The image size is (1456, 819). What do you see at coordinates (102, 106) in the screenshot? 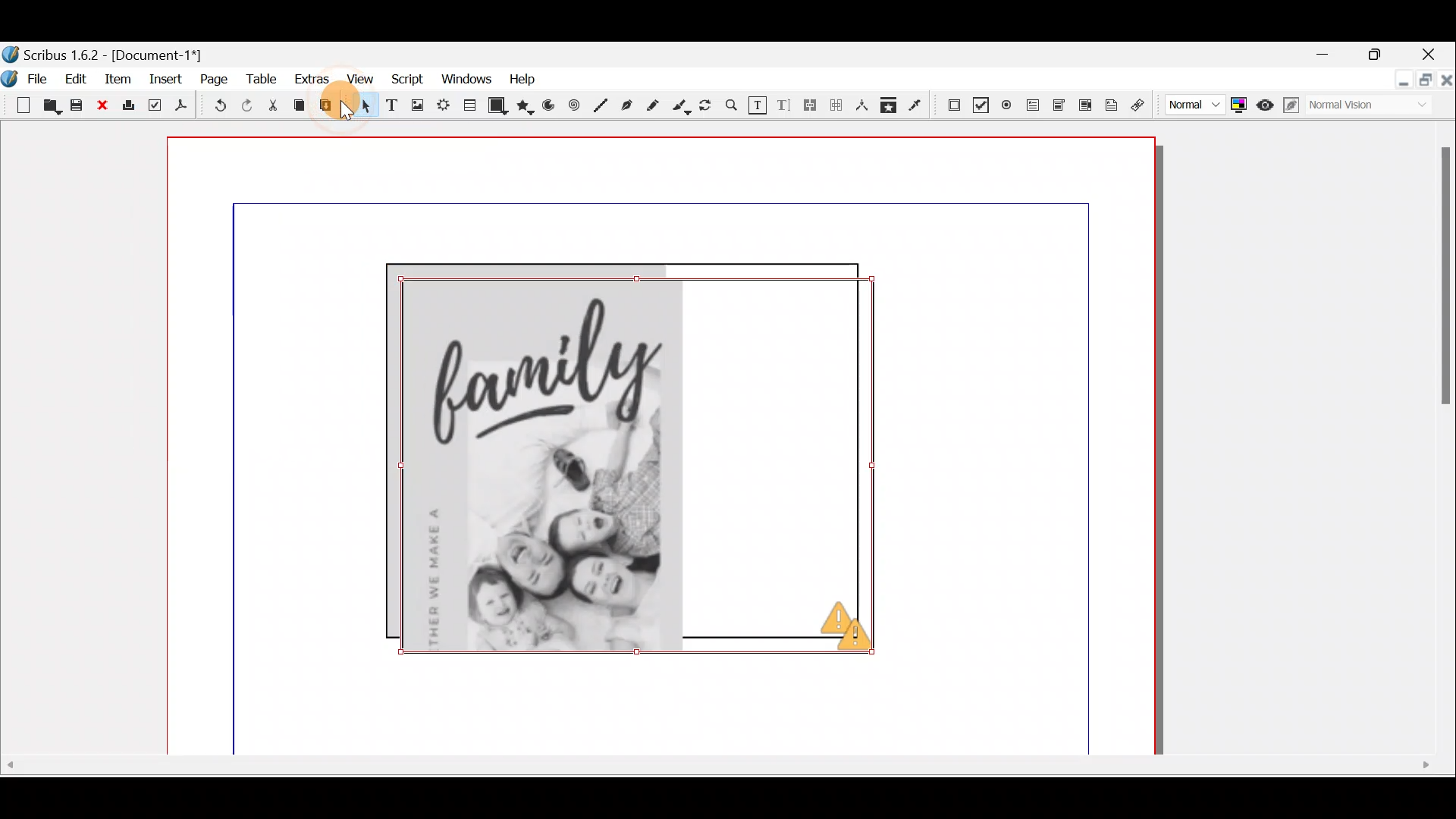
I see `Close` at bounding box center [102, 106].